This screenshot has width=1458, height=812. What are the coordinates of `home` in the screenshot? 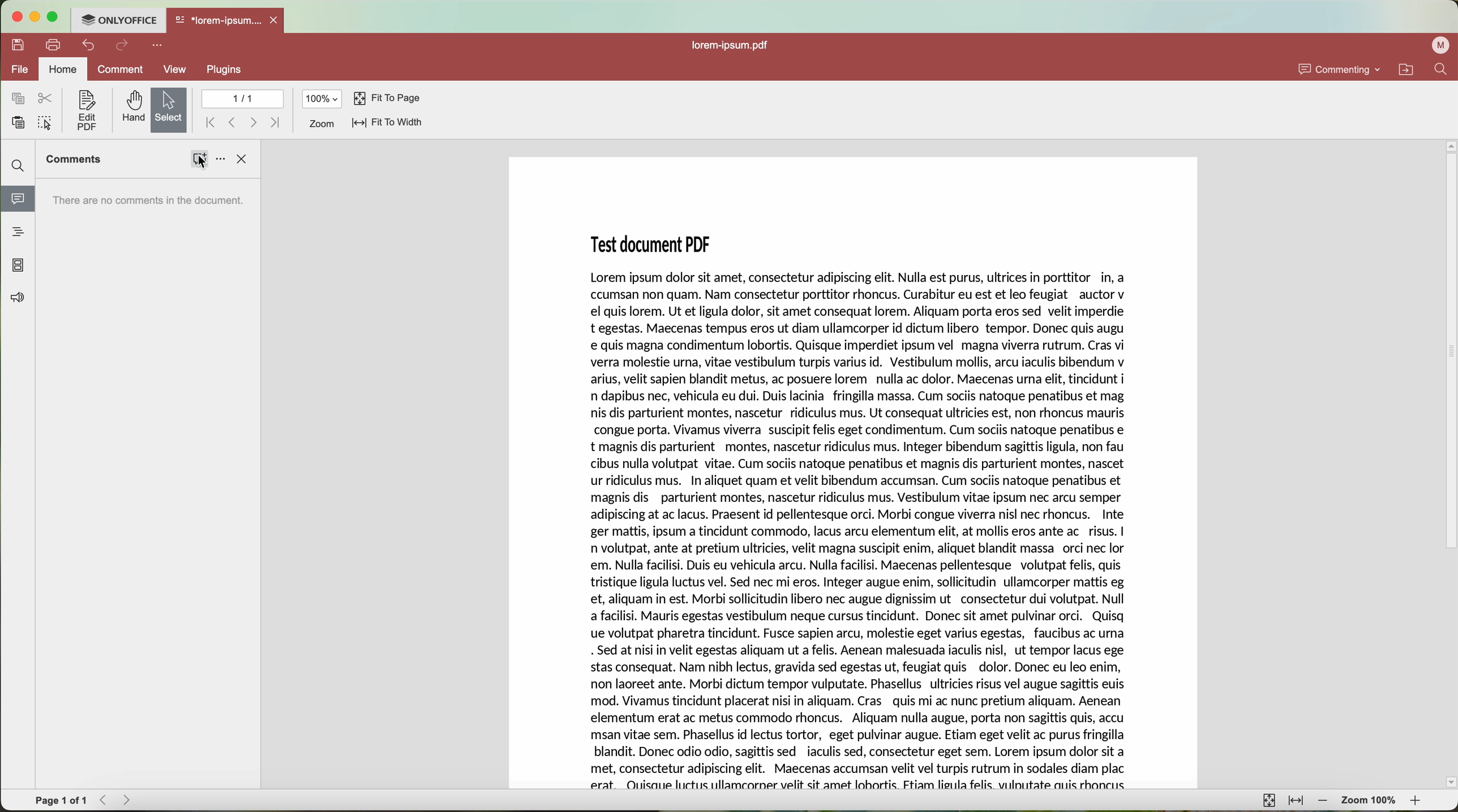 It's located at (63, 68).